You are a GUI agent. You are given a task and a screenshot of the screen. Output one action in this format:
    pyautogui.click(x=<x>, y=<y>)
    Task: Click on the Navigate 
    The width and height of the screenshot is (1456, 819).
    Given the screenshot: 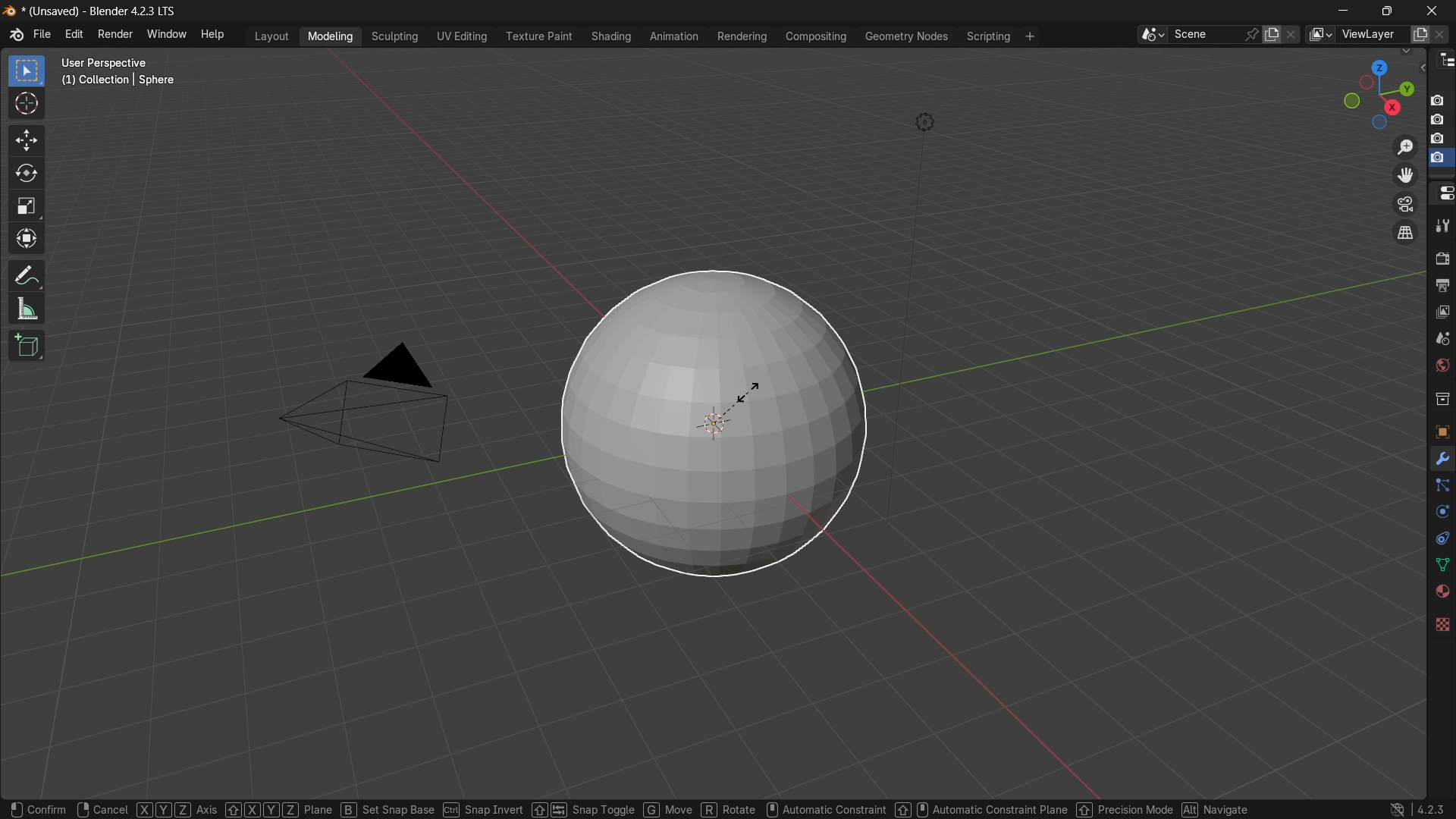 What is the action you would take?
    pyautogui.click(x=1217, y=808)
    